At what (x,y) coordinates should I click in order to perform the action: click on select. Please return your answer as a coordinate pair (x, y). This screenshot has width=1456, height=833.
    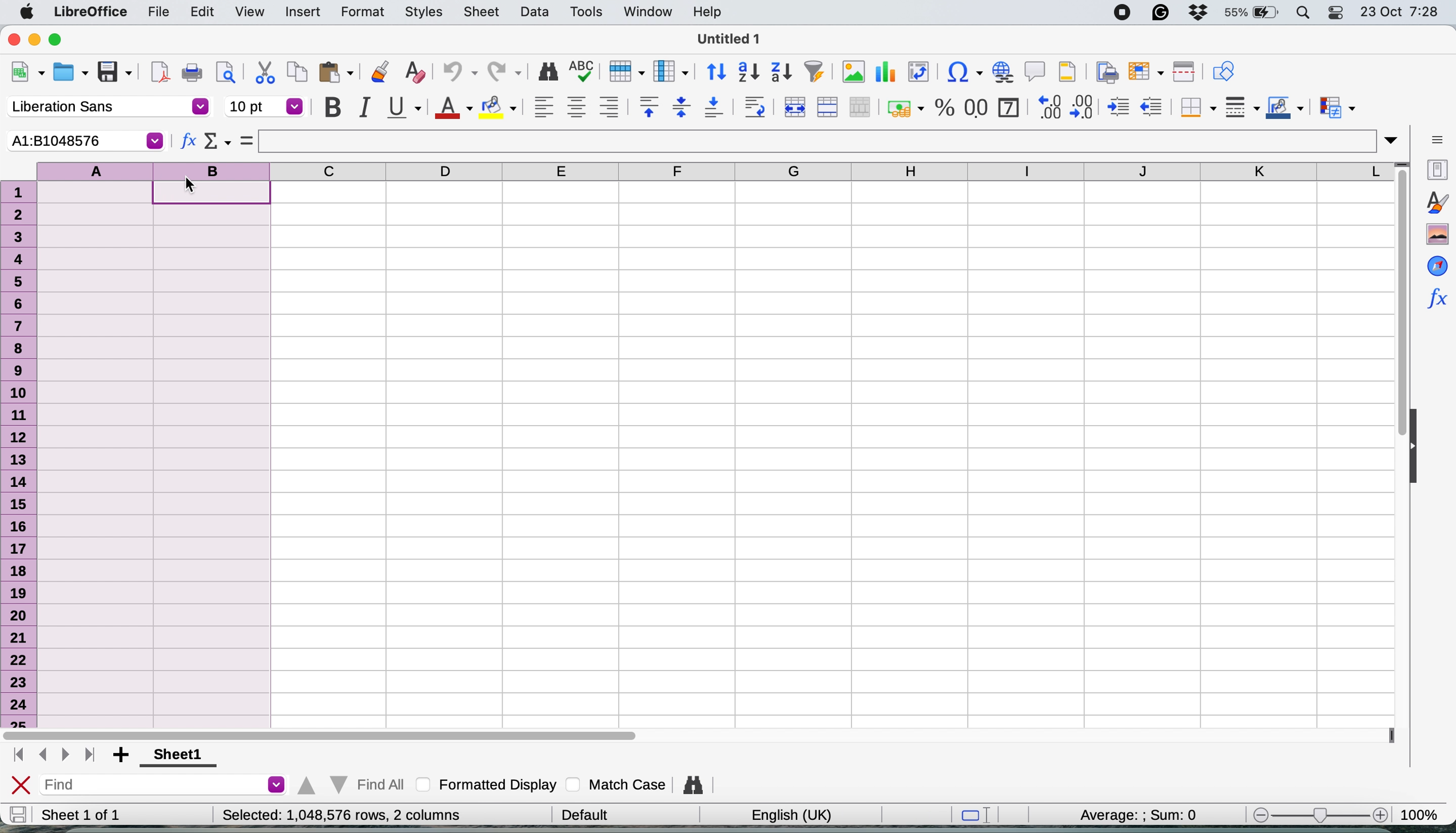
    Looking at the image, I should click on (247, 141).